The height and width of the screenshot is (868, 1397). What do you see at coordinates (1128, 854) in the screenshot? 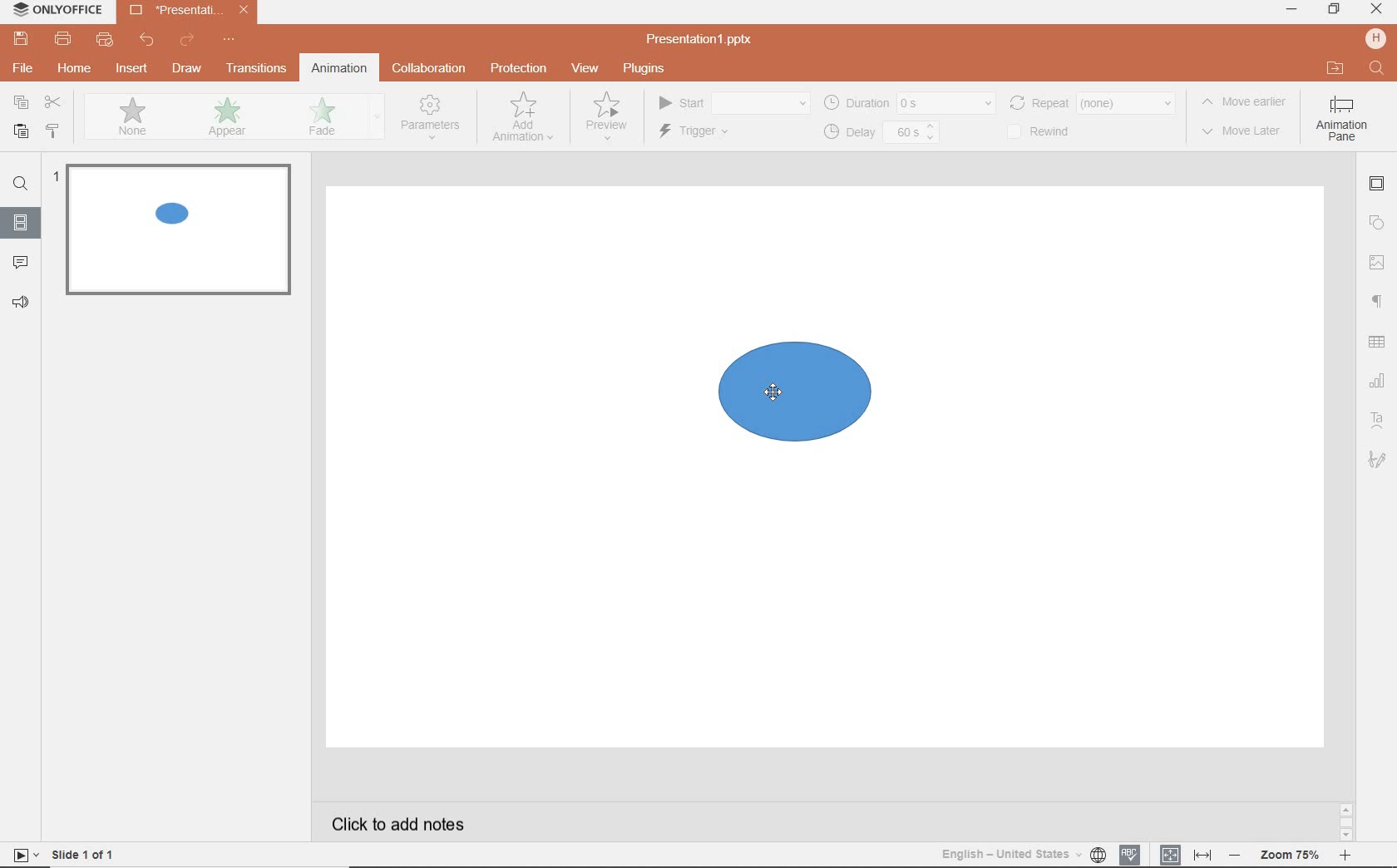
I see `spell checking` at bounding box center [1128, 854].